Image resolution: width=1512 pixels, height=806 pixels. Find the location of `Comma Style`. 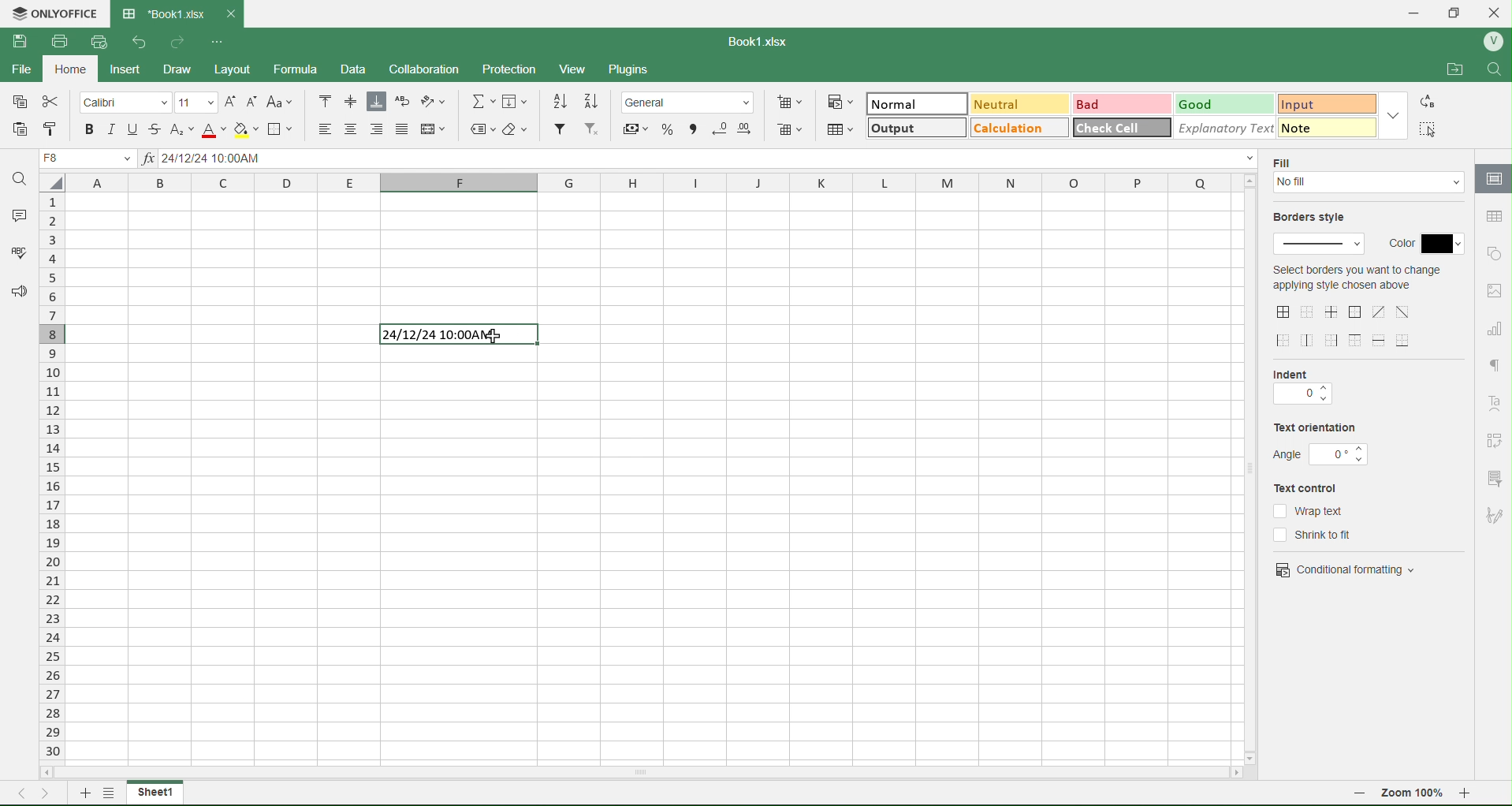

Comma Style is located at coordinates (693, 127).